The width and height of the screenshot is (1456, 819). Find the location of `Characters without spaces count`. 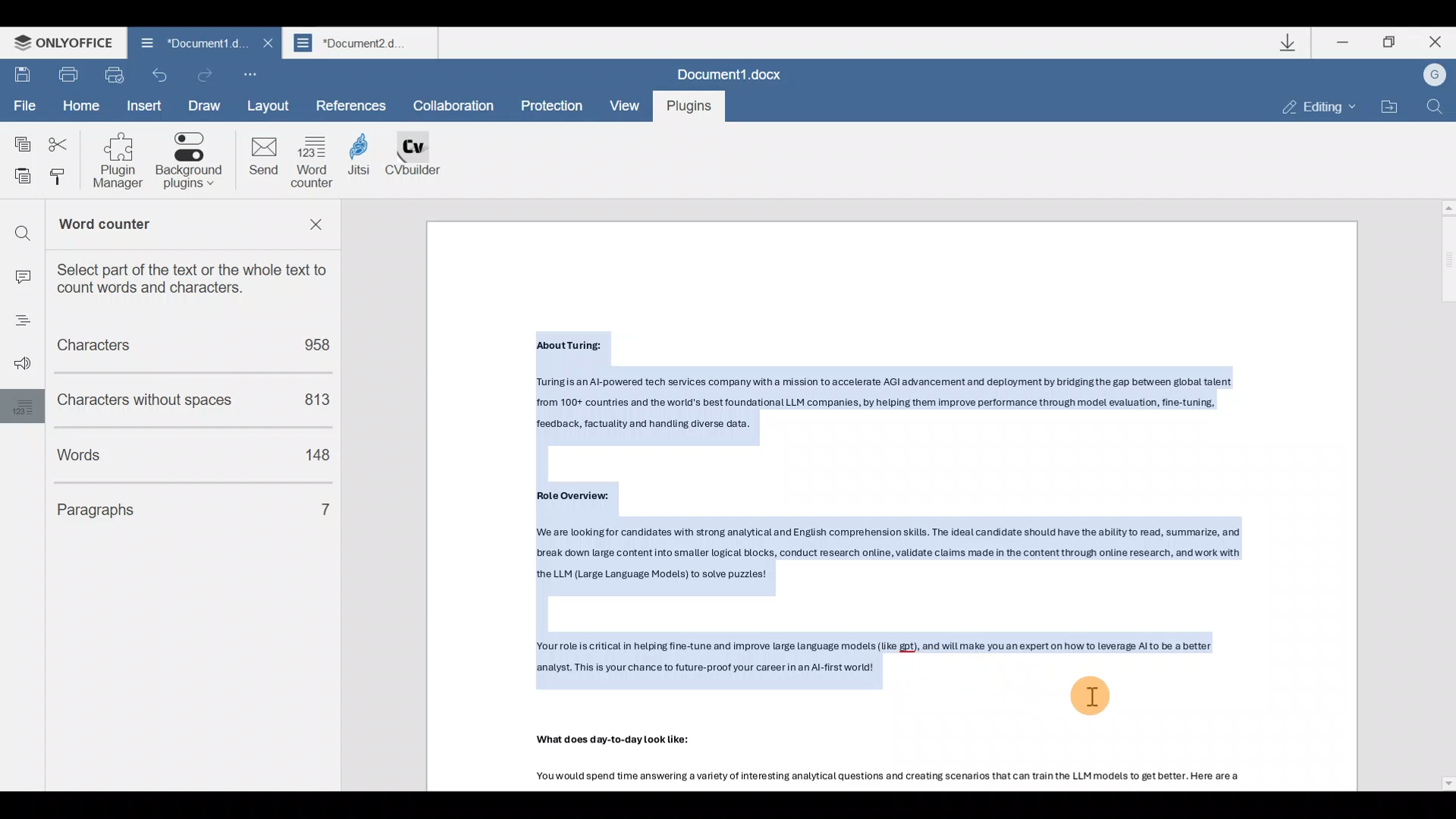

Characters without spaces count is located at coordinates (164, 400).